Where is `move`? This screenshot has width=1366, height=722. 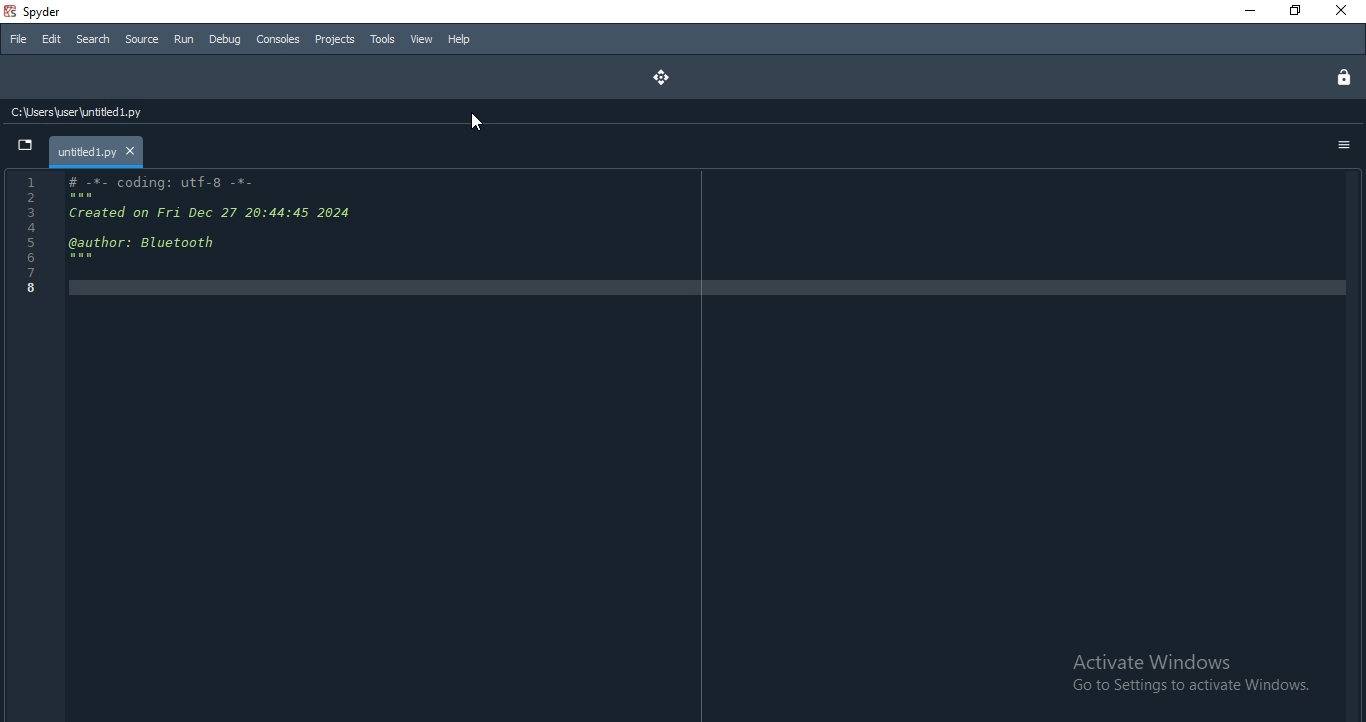
move is located at coordinates (658, 75).